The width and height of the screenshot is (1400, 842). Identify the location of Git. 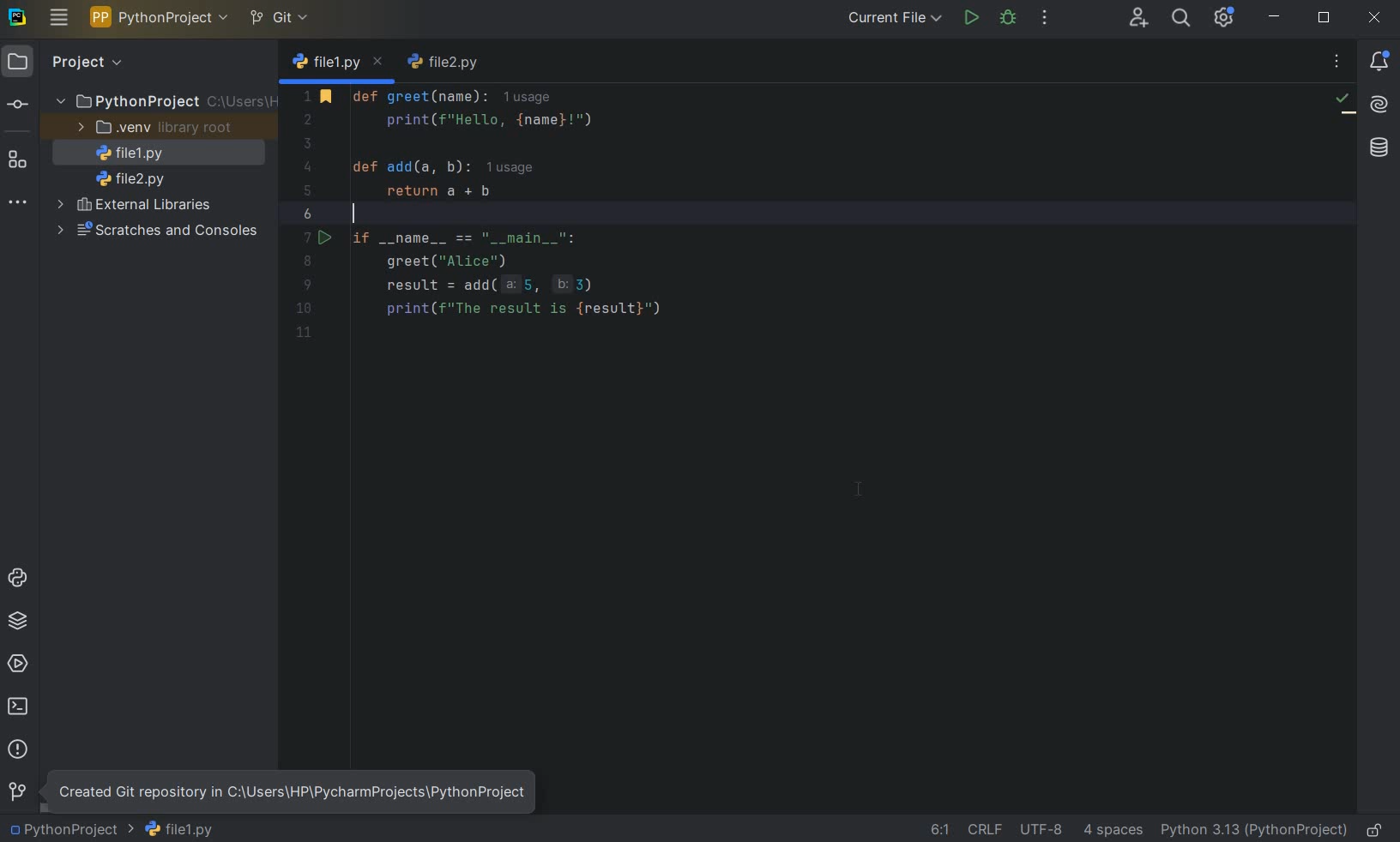
(279, 15).